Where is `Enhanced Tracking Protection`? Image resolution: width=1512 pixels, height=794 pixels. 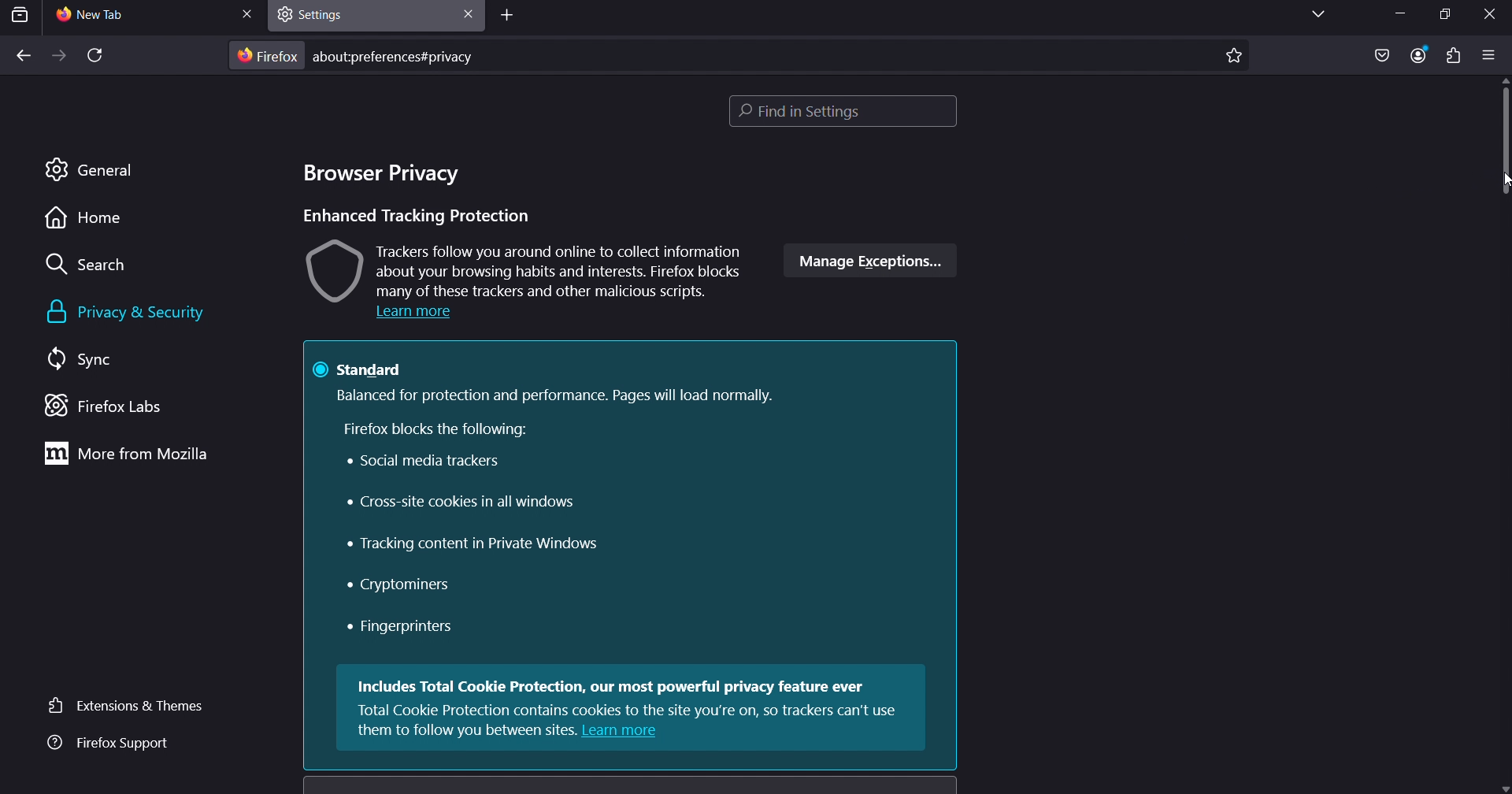
Enhanced Tracking Protection is located at coordinates (417, 216).